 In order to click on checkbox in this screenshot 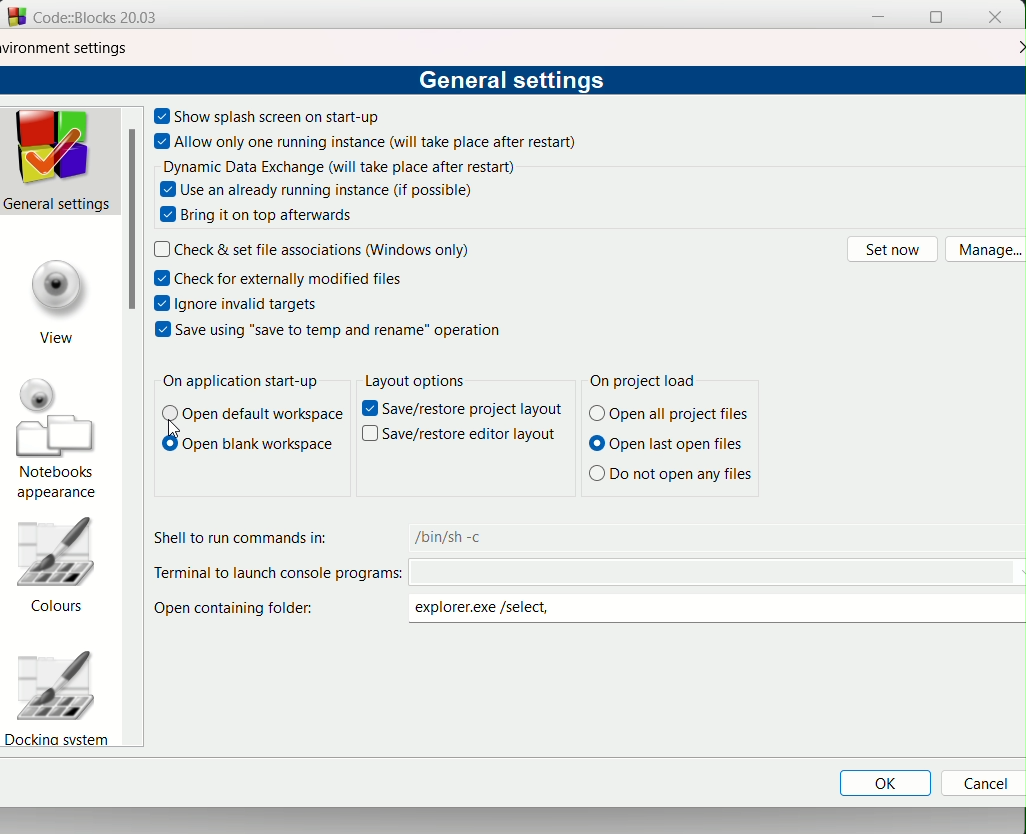, I will do `click(162, 279)`.